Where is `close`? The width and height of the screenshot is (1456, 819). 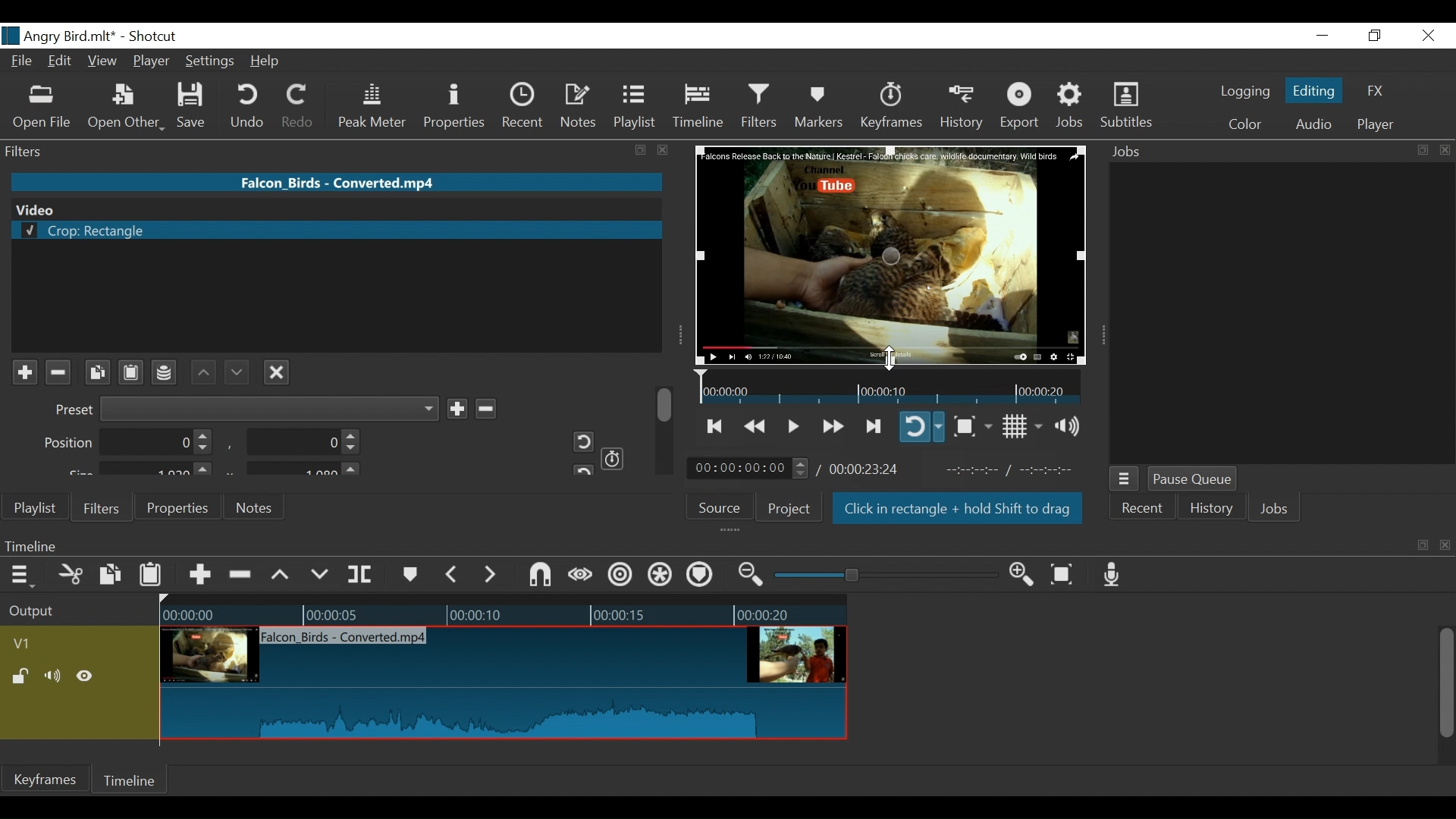 close is located at coordinates (1445, 150).